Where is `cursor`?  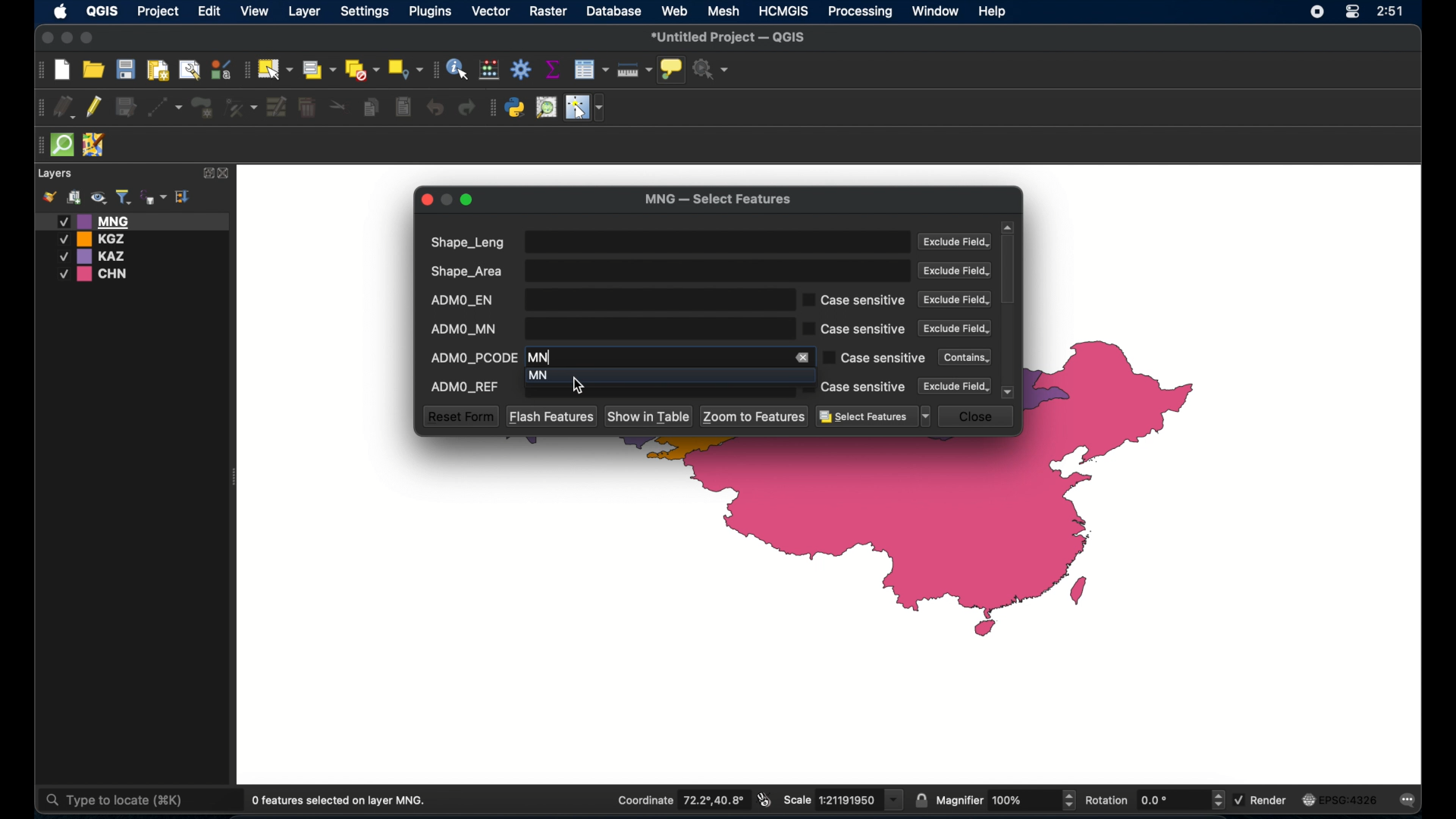 cursor is located at coordinates (576, 385).